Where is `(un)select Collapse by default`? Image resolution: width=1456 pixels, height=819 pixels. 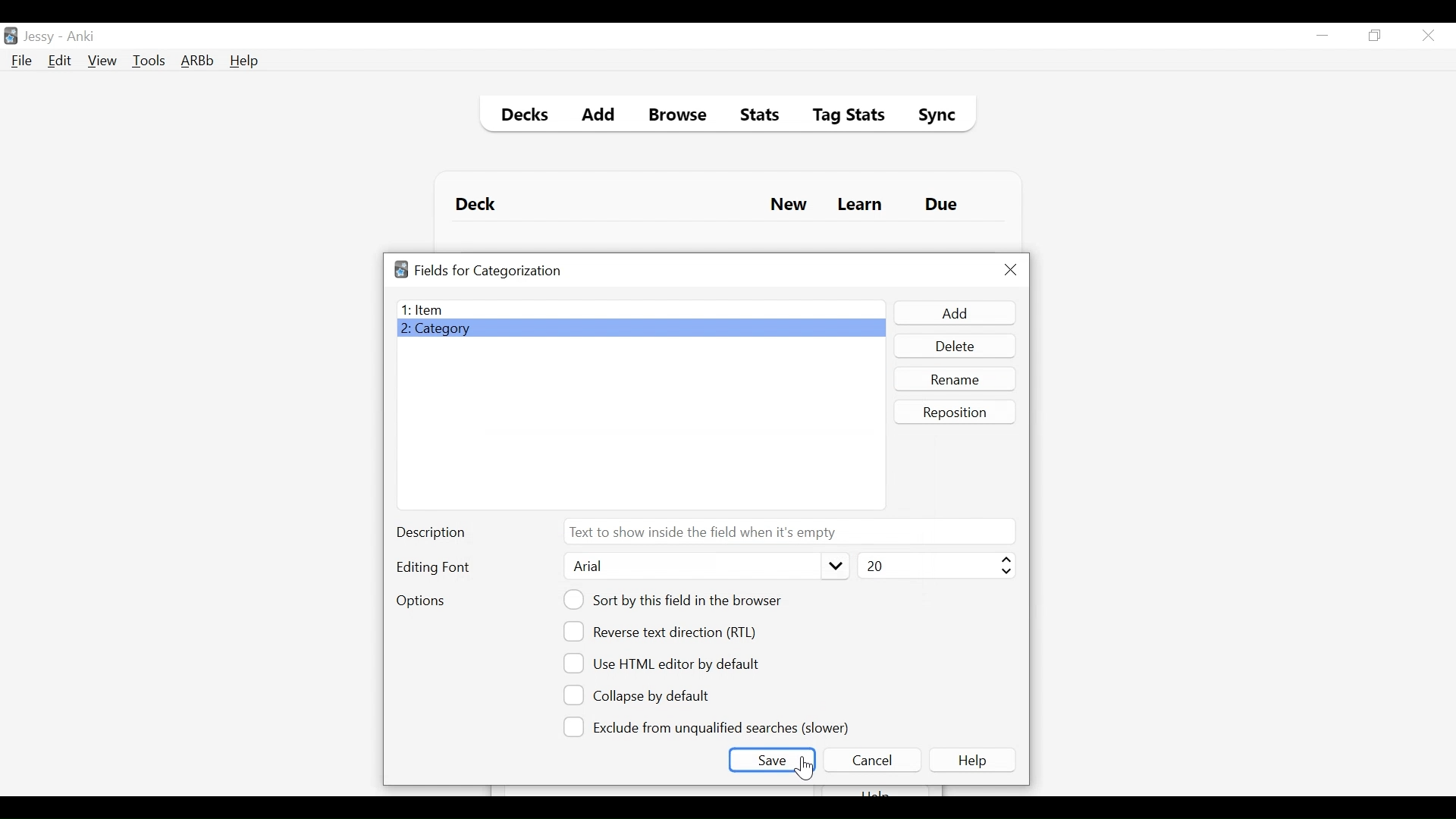
(un)select Collapse by default is located at coordinates (648, 695).